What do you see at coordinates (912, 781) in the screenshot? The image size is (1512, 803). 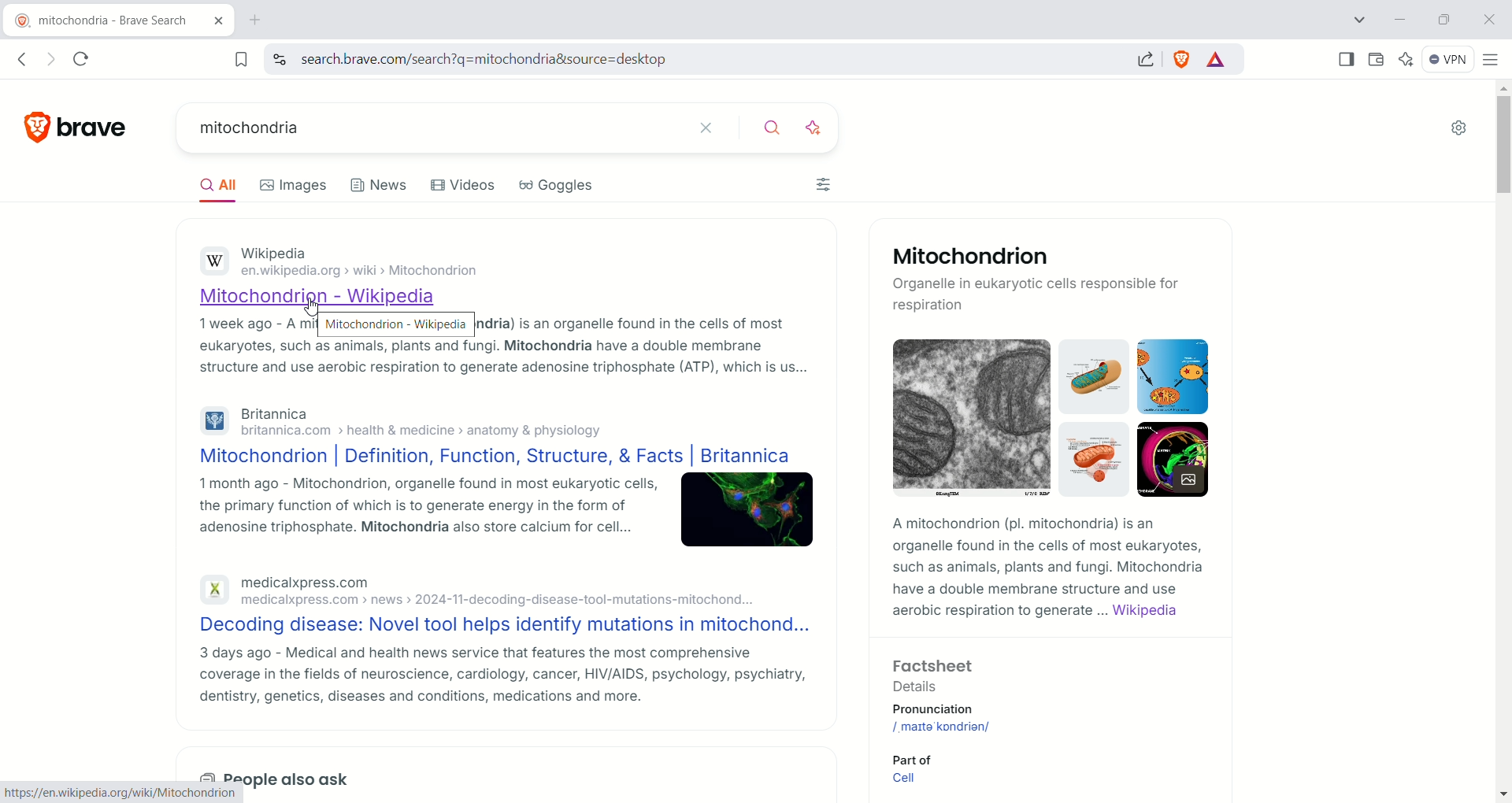 I see `Cell link` at bounding box center [912, 781].